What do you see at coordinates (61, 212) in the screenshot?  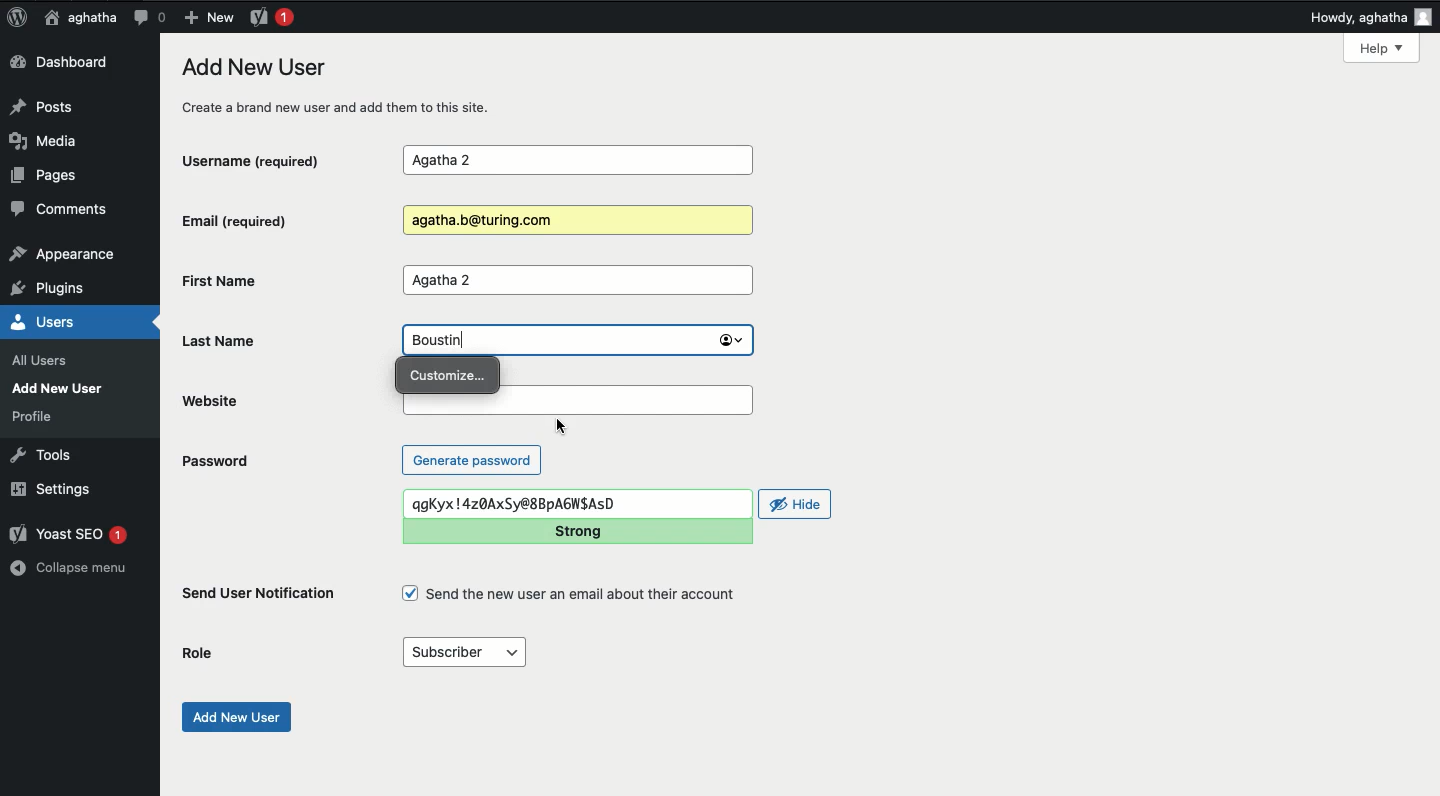 I see `Comments` at bounding box center [61, 212].